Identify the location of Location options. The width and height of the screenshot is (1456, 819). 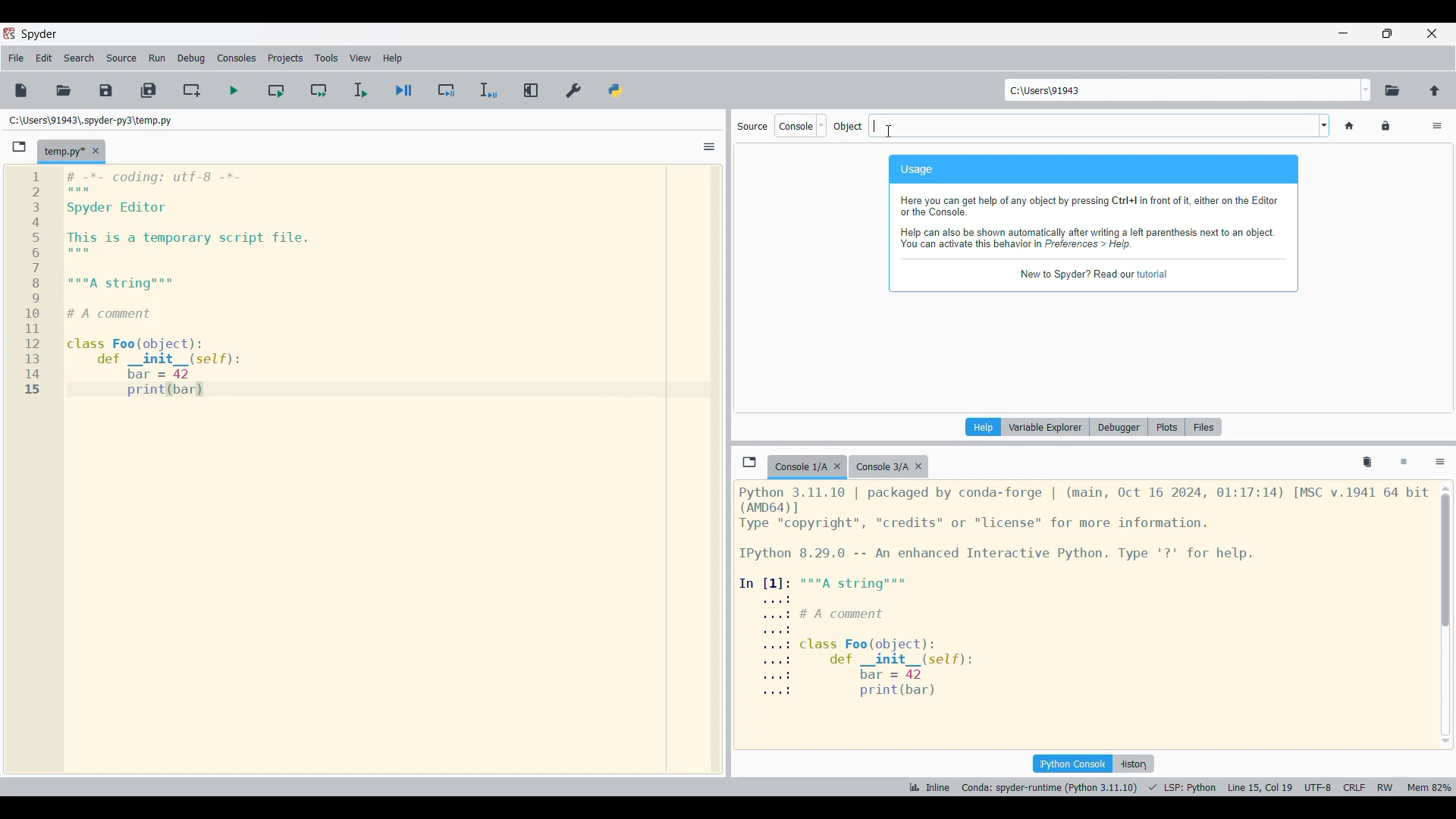
(1367, 90).